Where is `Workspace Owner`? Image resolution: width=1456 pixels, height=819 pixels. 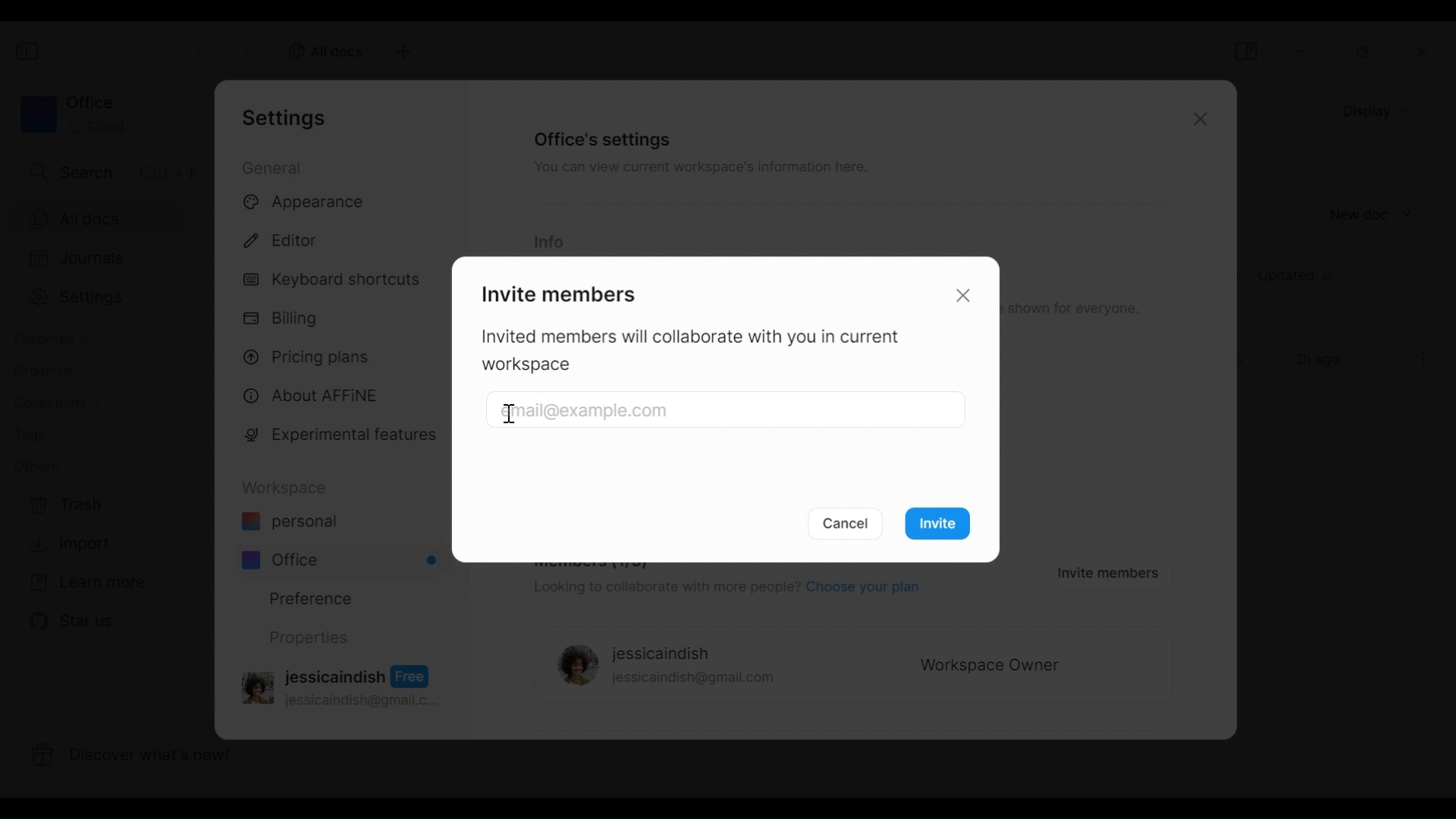
Workspace Owner is located at coordinates (990, 667).